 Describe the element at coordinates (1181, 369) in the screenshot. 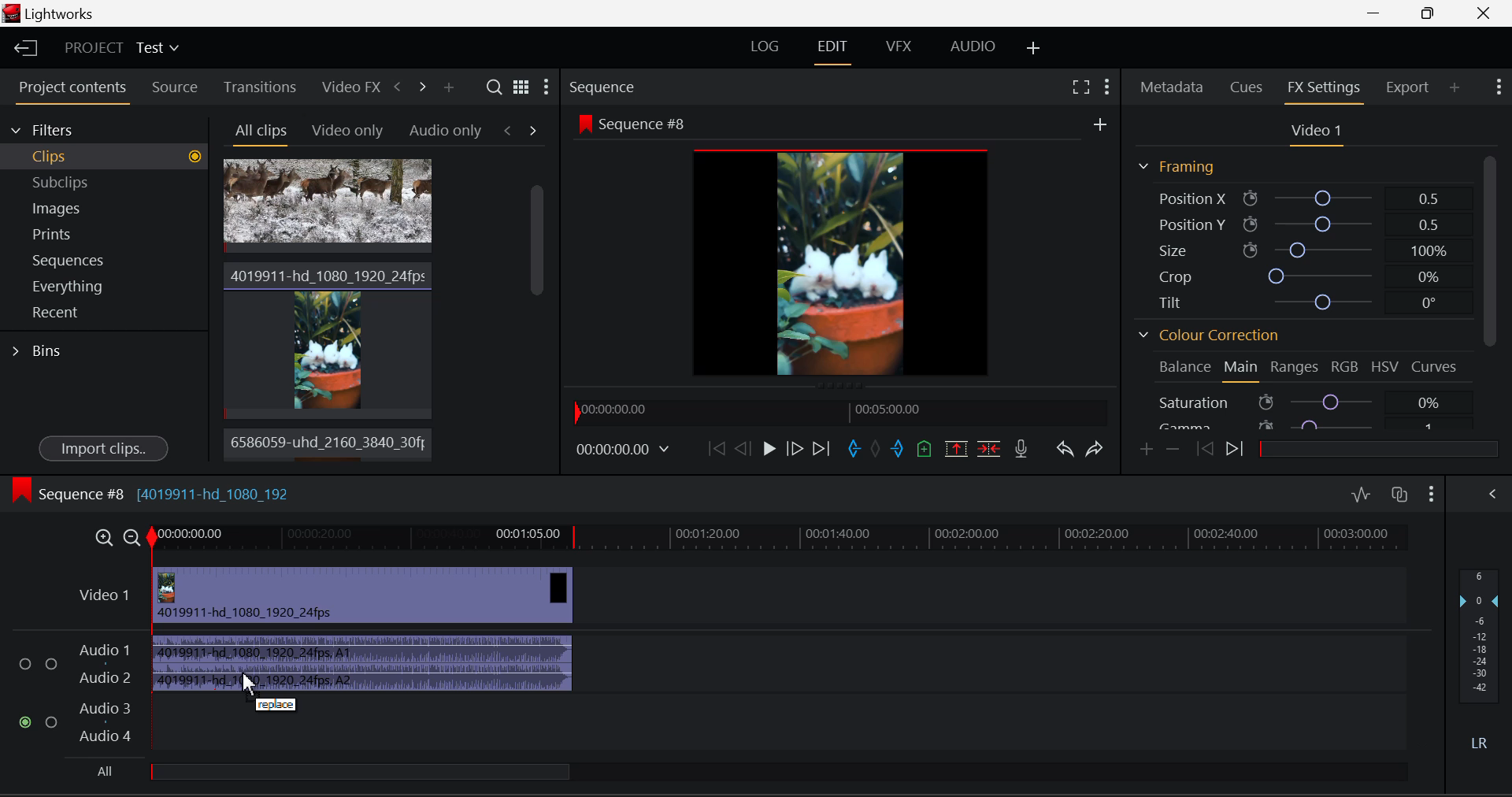

I see `Balance` at that location.